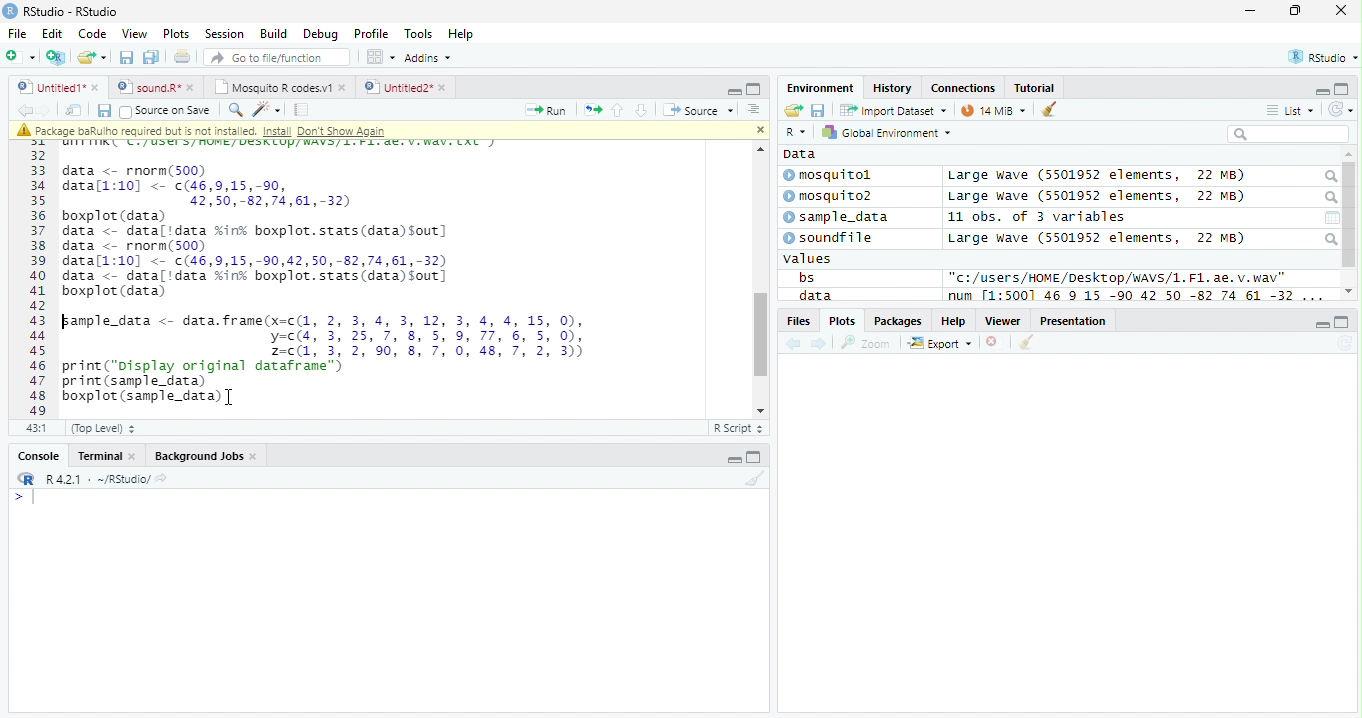  What do you see at coordinates (151, 58) in the screenshot?
I see `Save all the open documents` at bounding box center [151, 58].